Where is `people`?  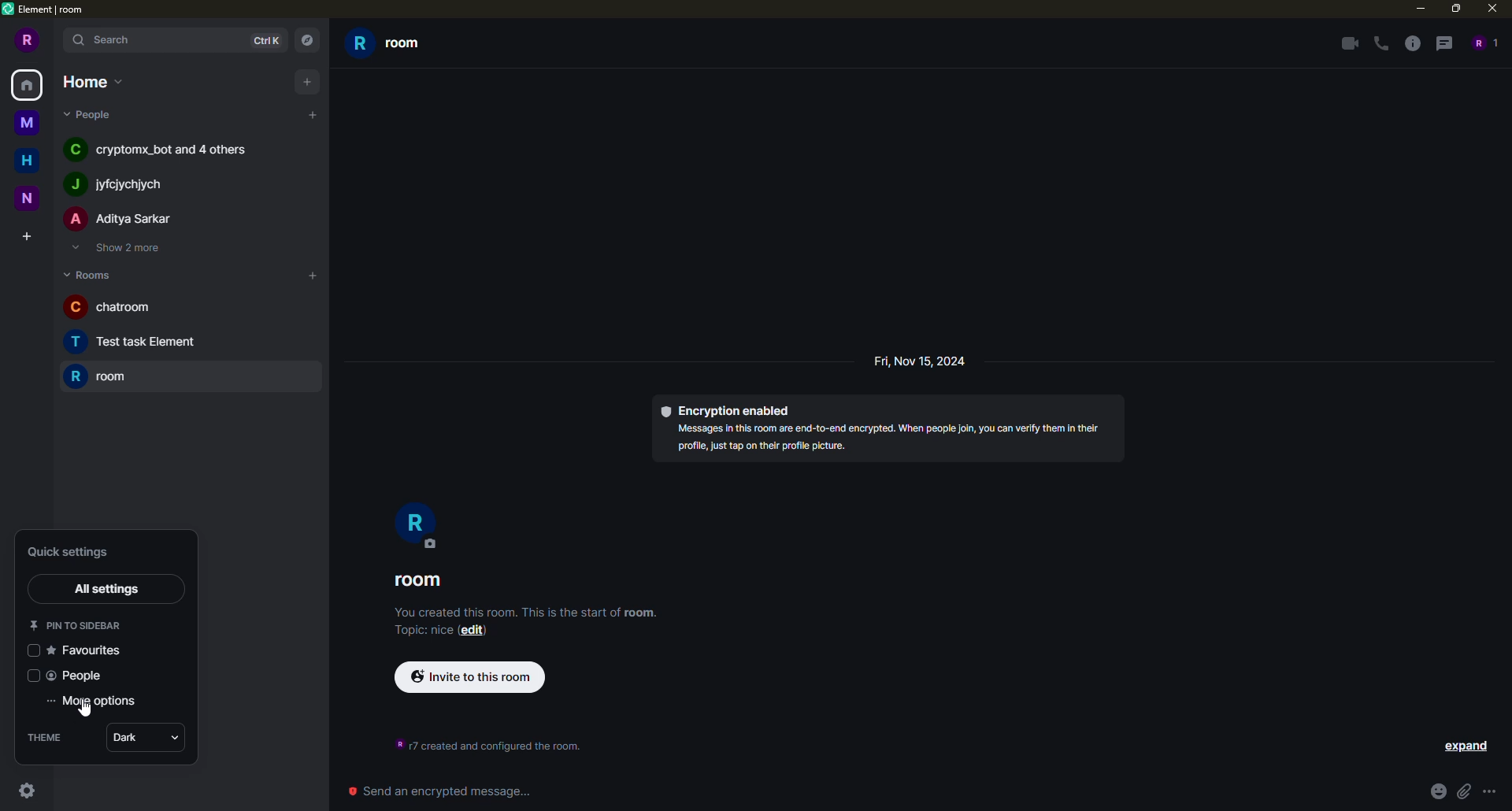 people is located at coordinates (90, 115).